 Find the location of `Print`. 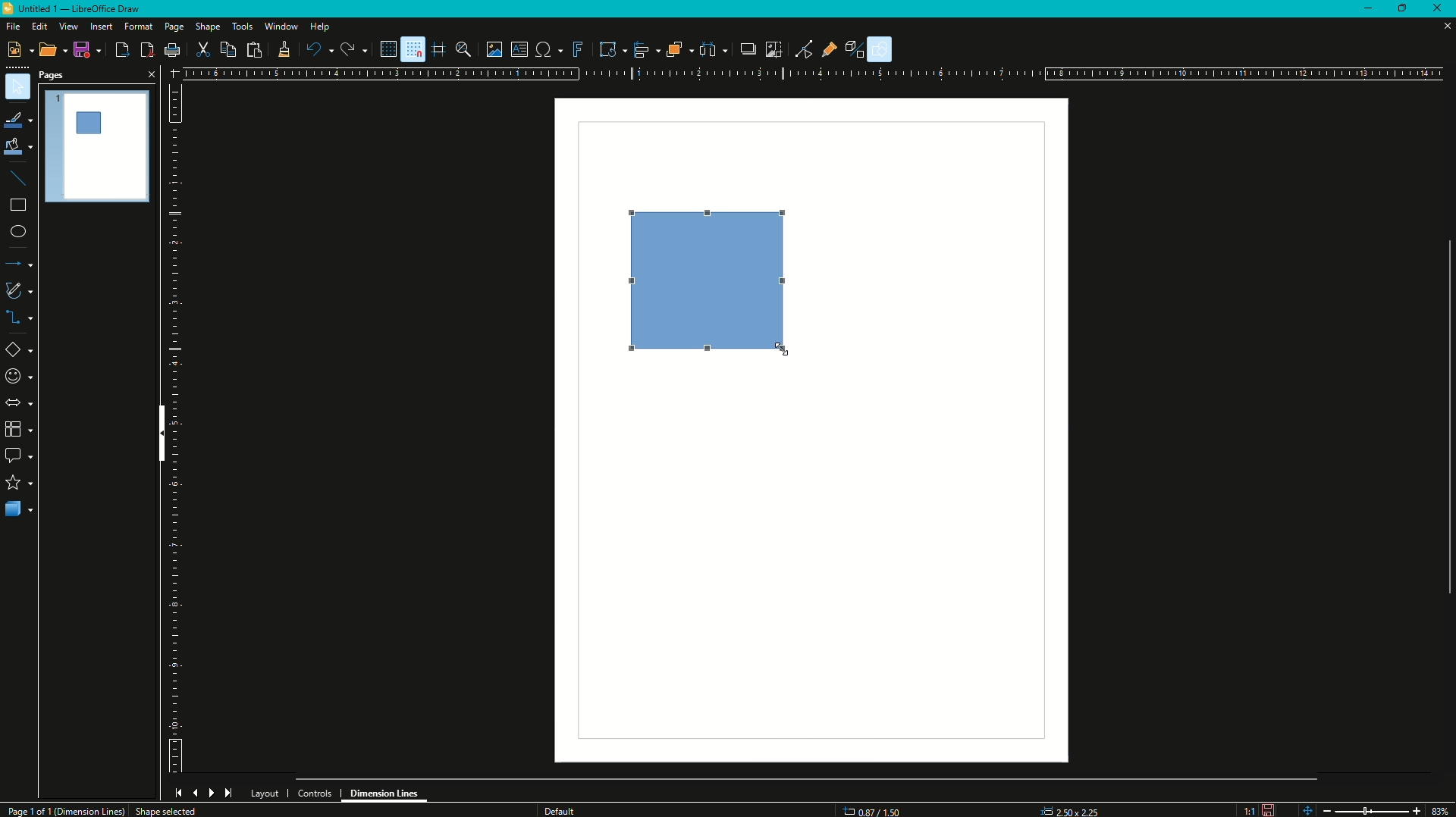

Print is located at coordinates (172, 52).